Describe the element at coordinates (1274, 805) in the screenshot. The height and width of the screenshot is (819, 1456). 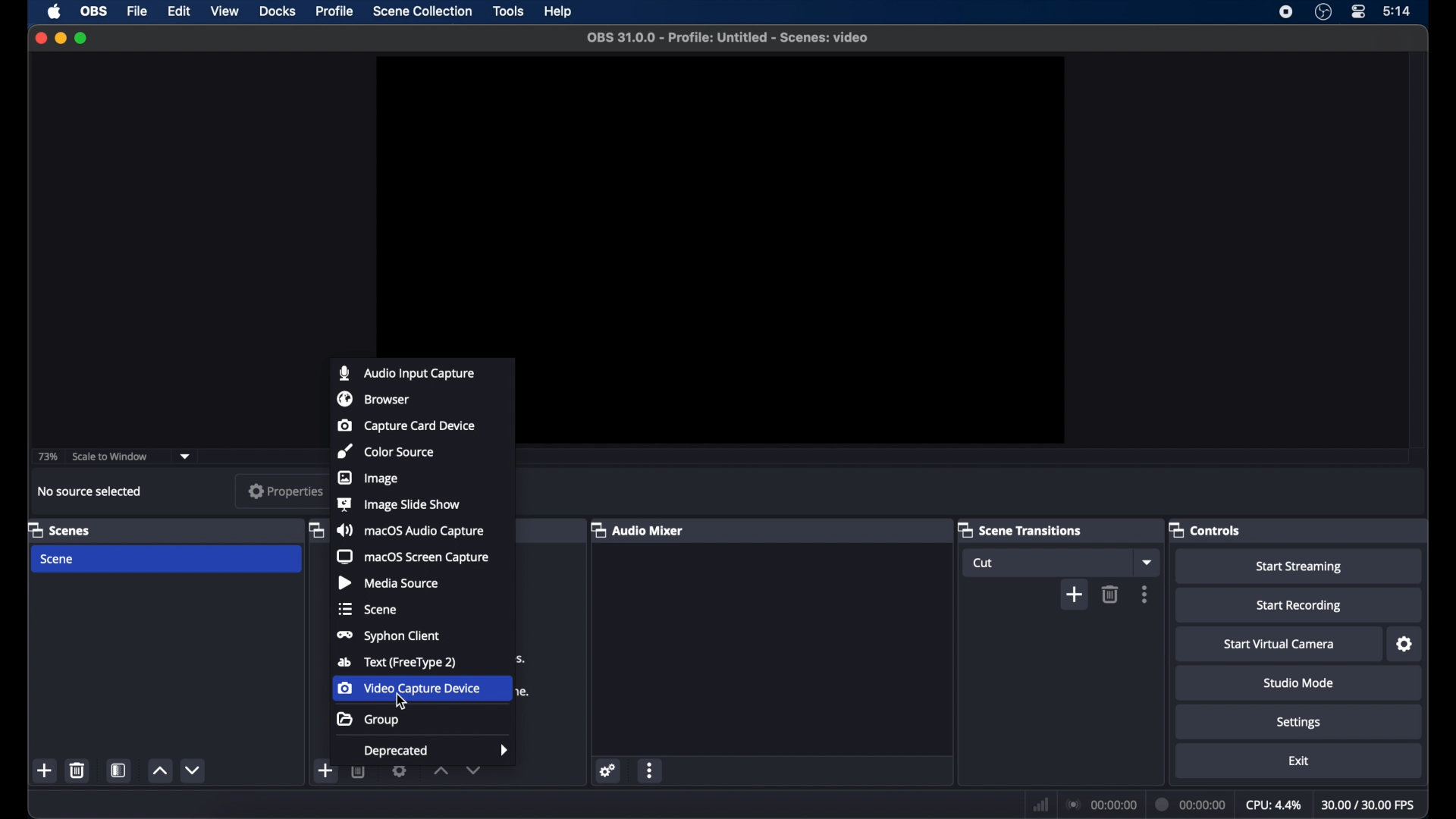
I see `cpu` at that location.